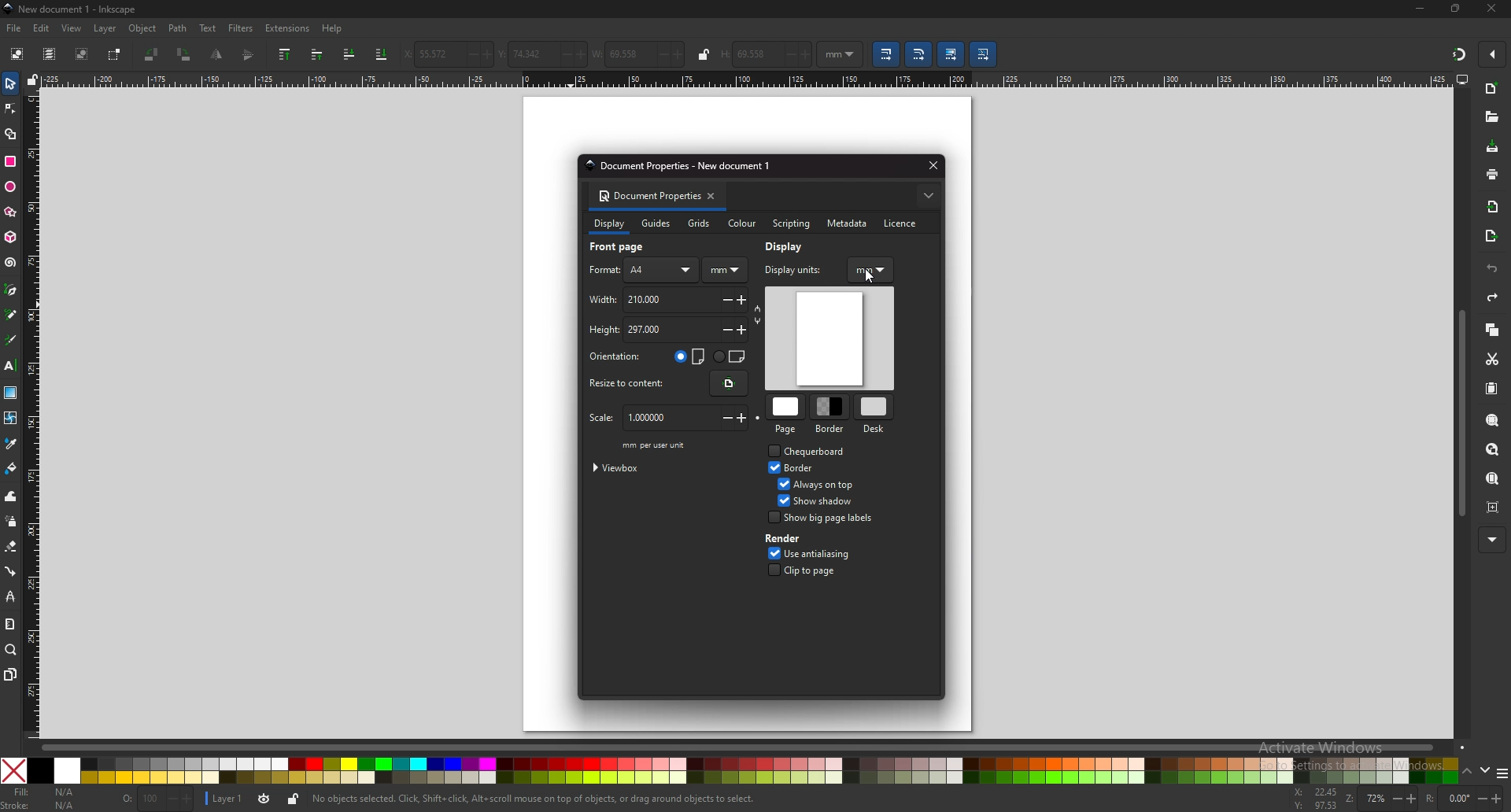 This screenshot has width=1511, height=812. What do you see at coordinates (557, 54) in the screenshot?
I see `-` at bounding box center [557, 54].